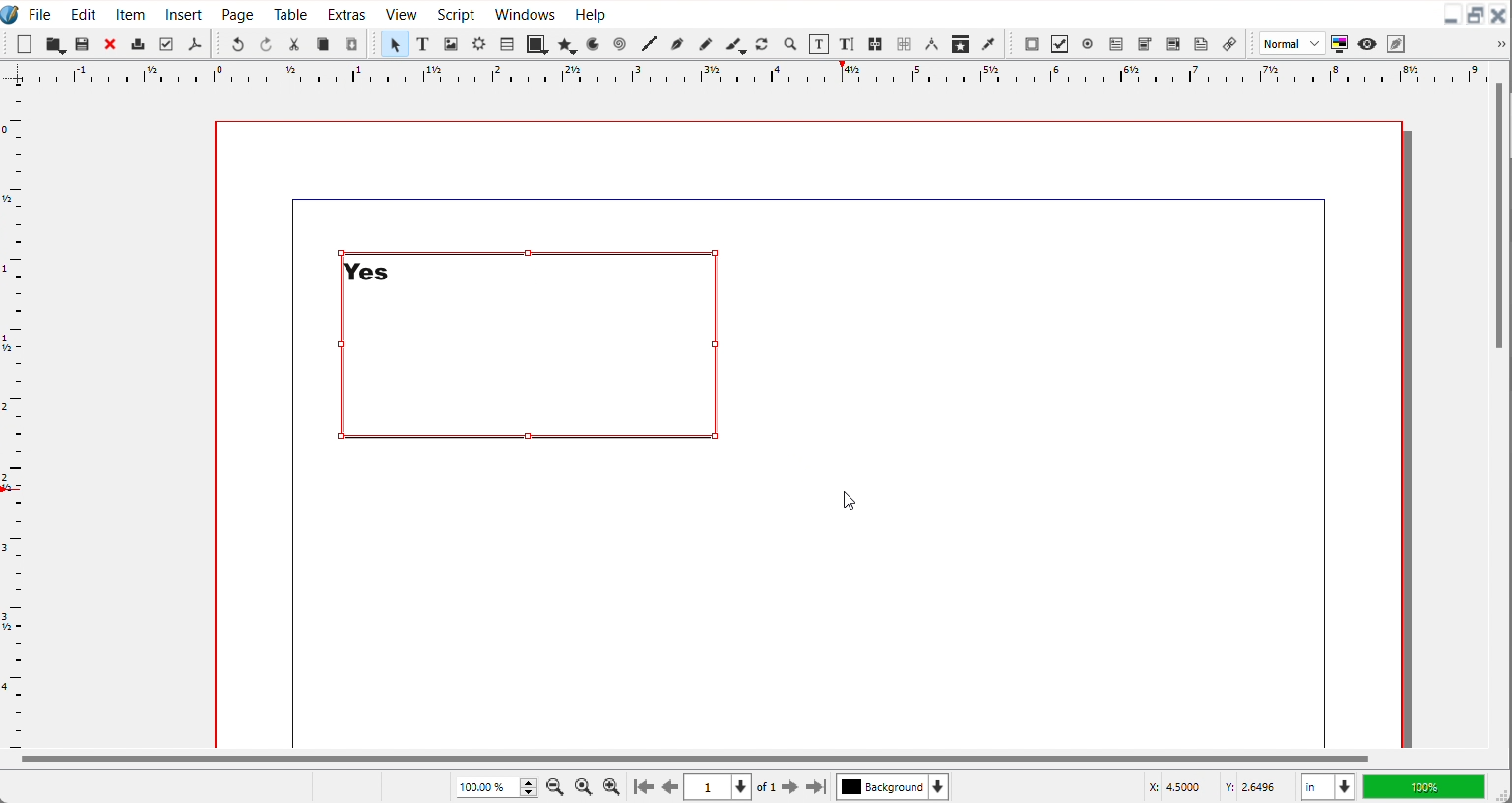 Image resolution: width=1512 pixels, height=803 pixels. What do you see at coordinates (132, 14) in the screenshot?
I see `Item` at bounding box center [132, 14].